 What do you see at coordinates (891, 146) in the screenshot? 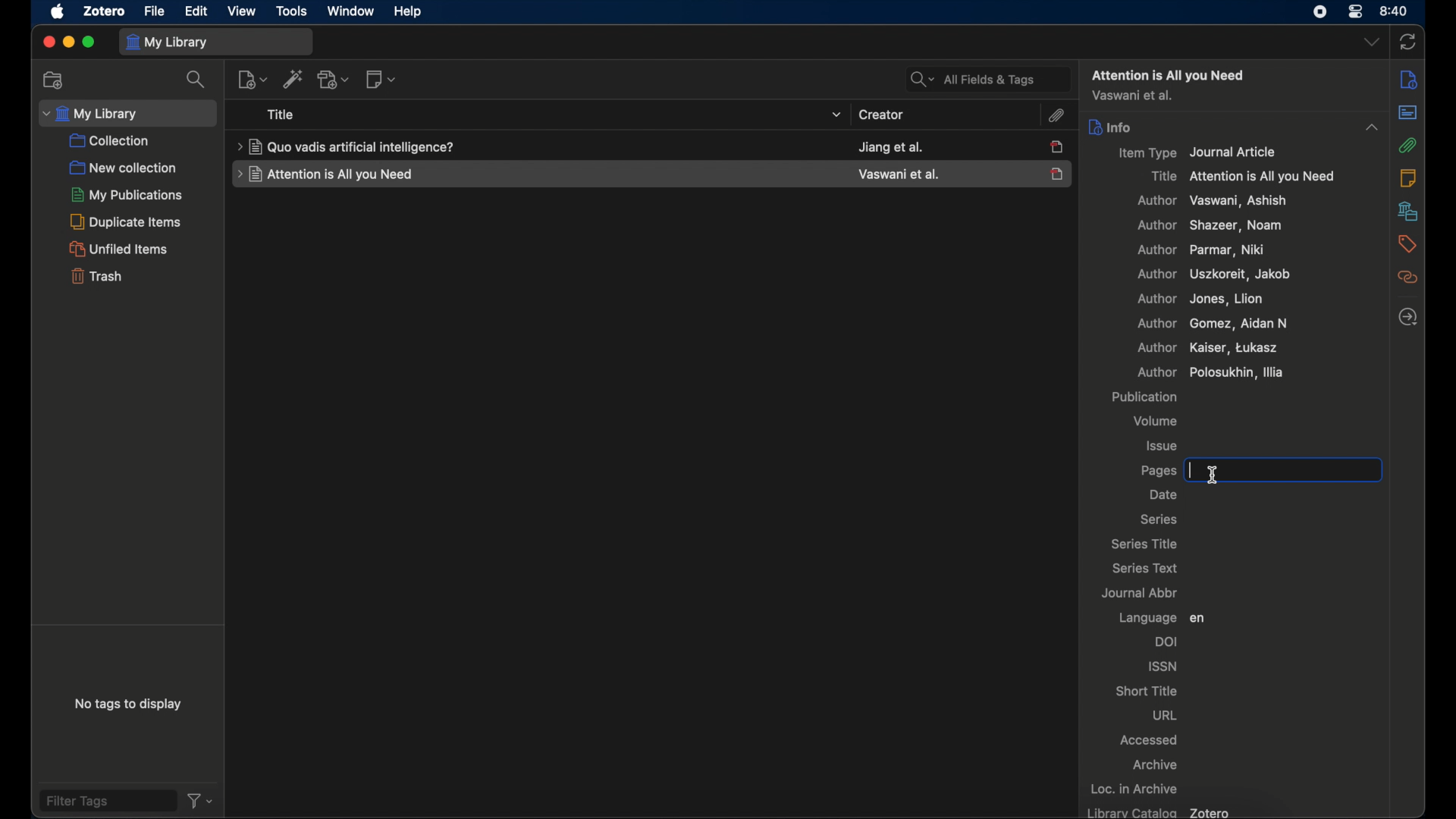
I see `creator name` at bounding box center [891, 146].